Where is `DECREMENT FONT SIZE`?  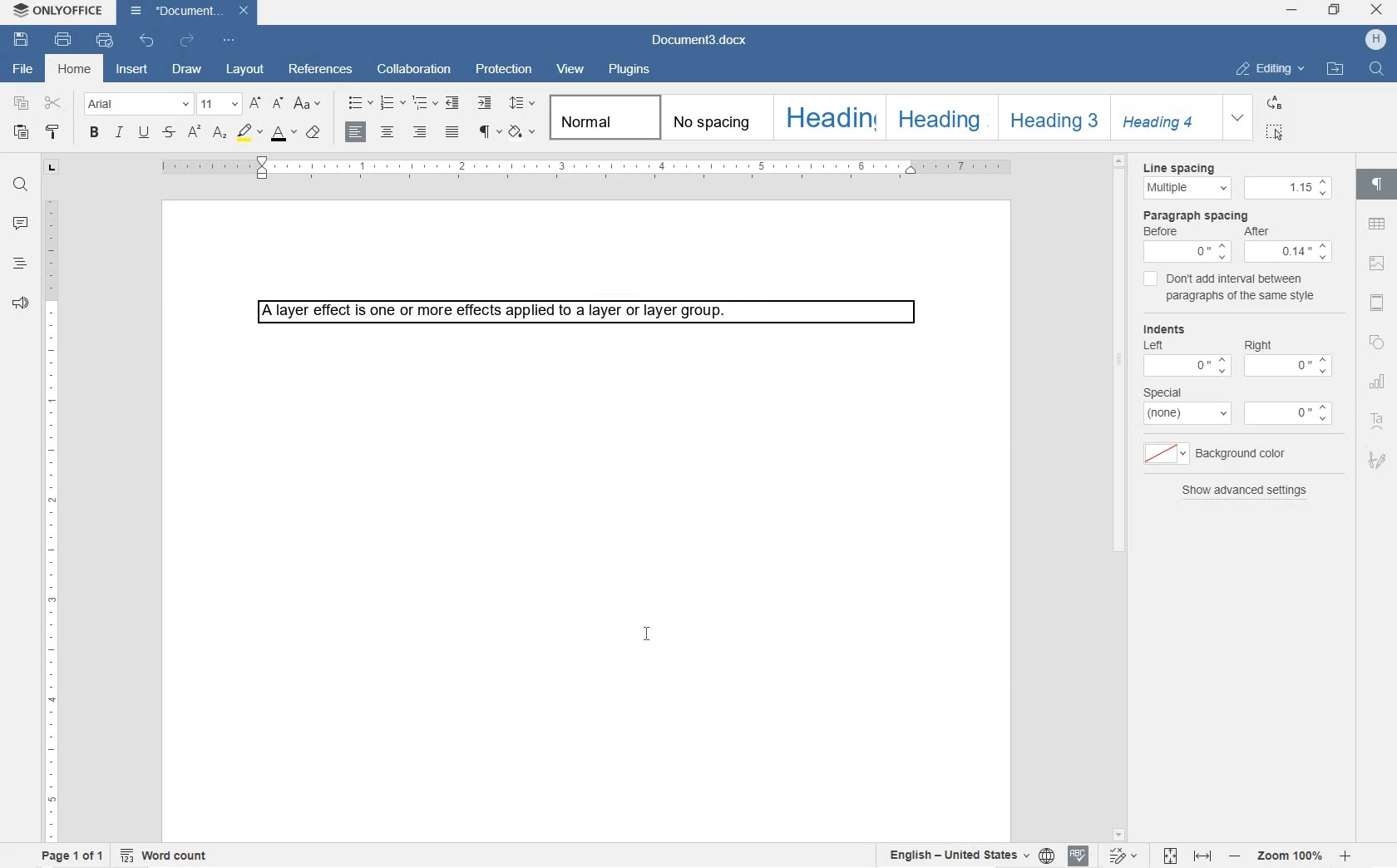 DECREMENT FONT SIZE is located at coordinates (276, 105).